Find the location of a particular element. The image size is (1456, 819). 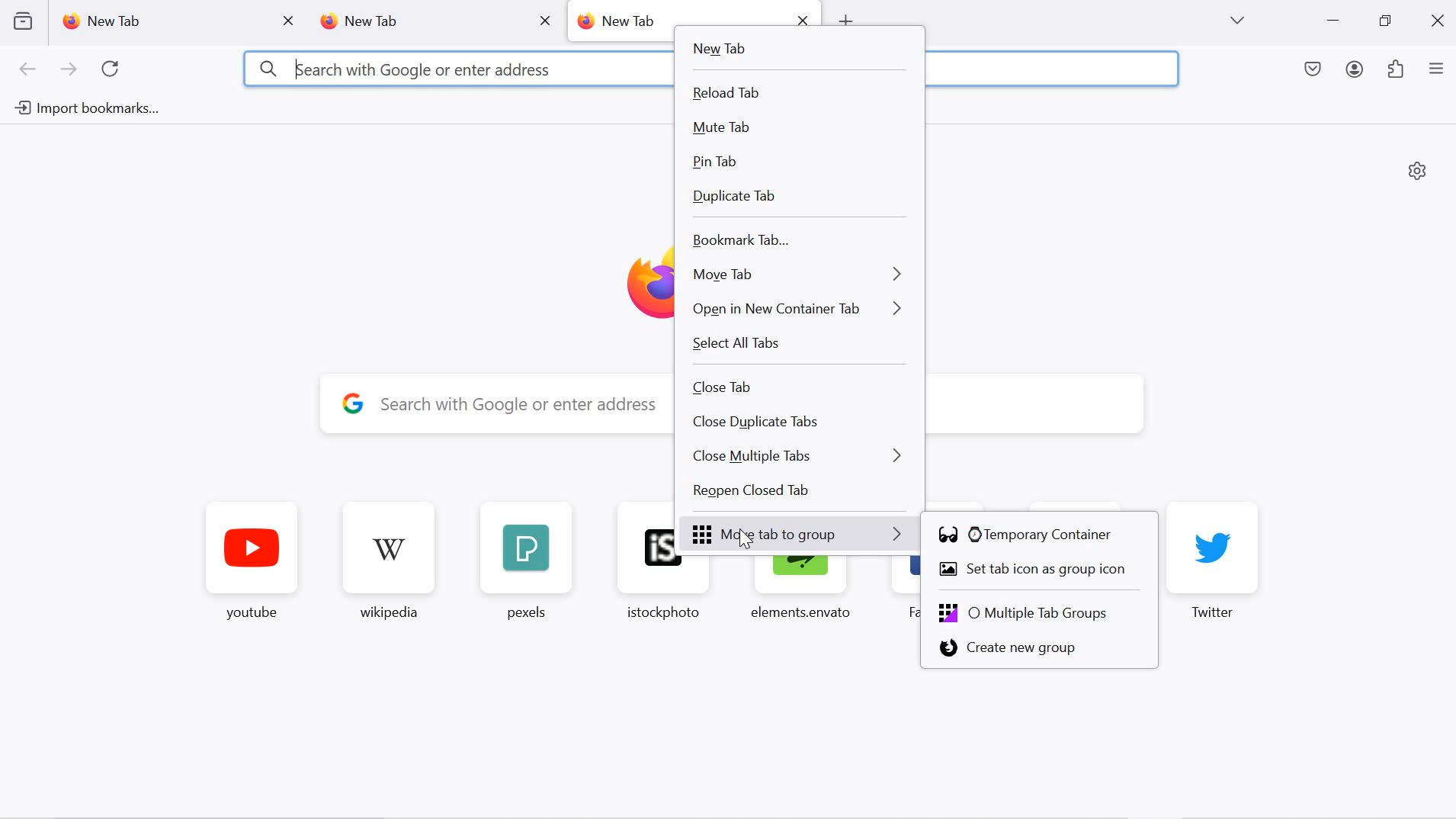

new tab is located at coordinates (159, 21).